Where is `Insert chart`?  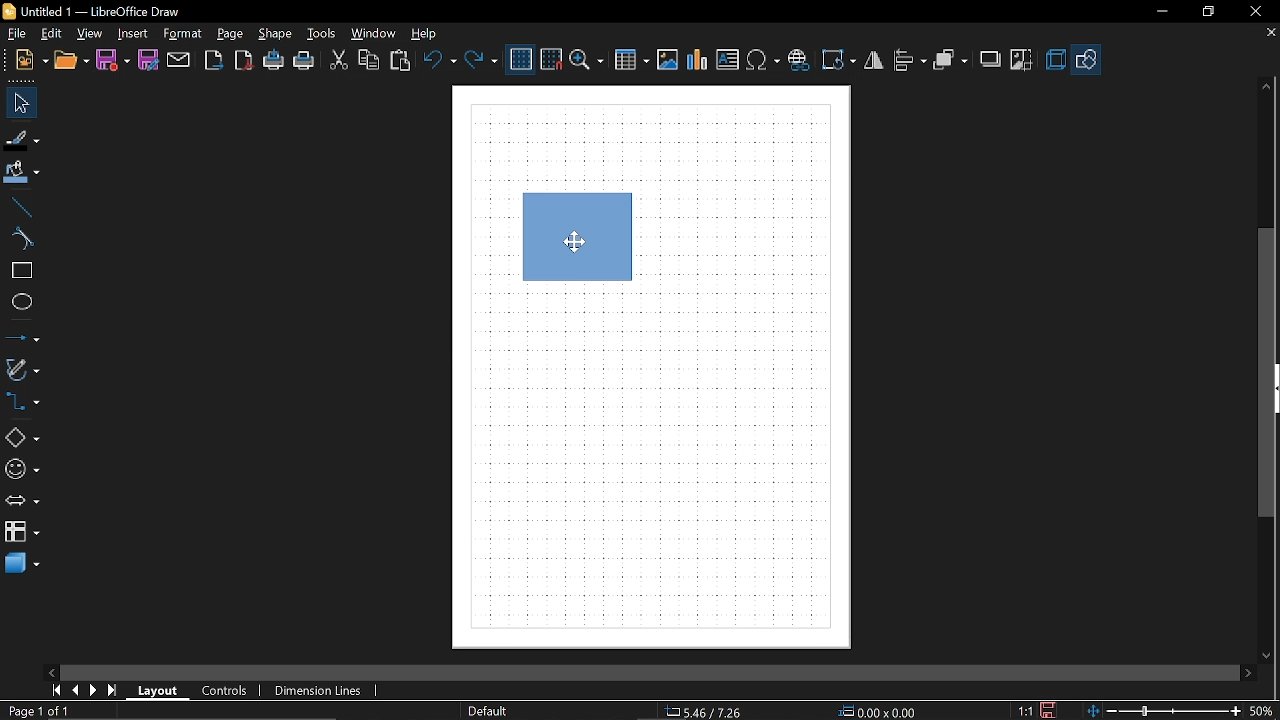 Insert chart is located at coordinates (698, 60).